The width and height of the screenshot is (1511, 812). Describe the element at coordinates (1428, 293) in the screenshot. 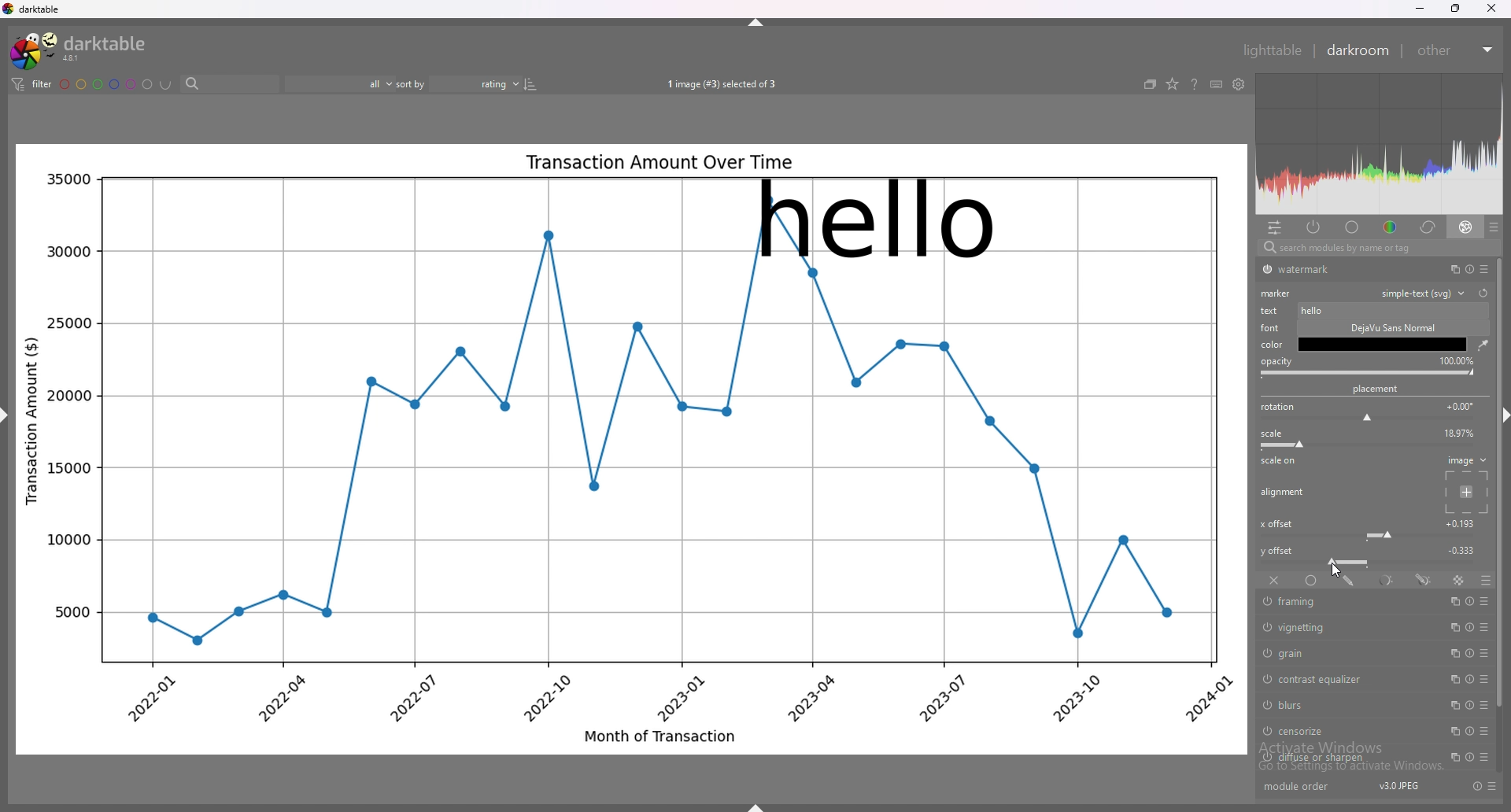

I see `watermark type` at that location.